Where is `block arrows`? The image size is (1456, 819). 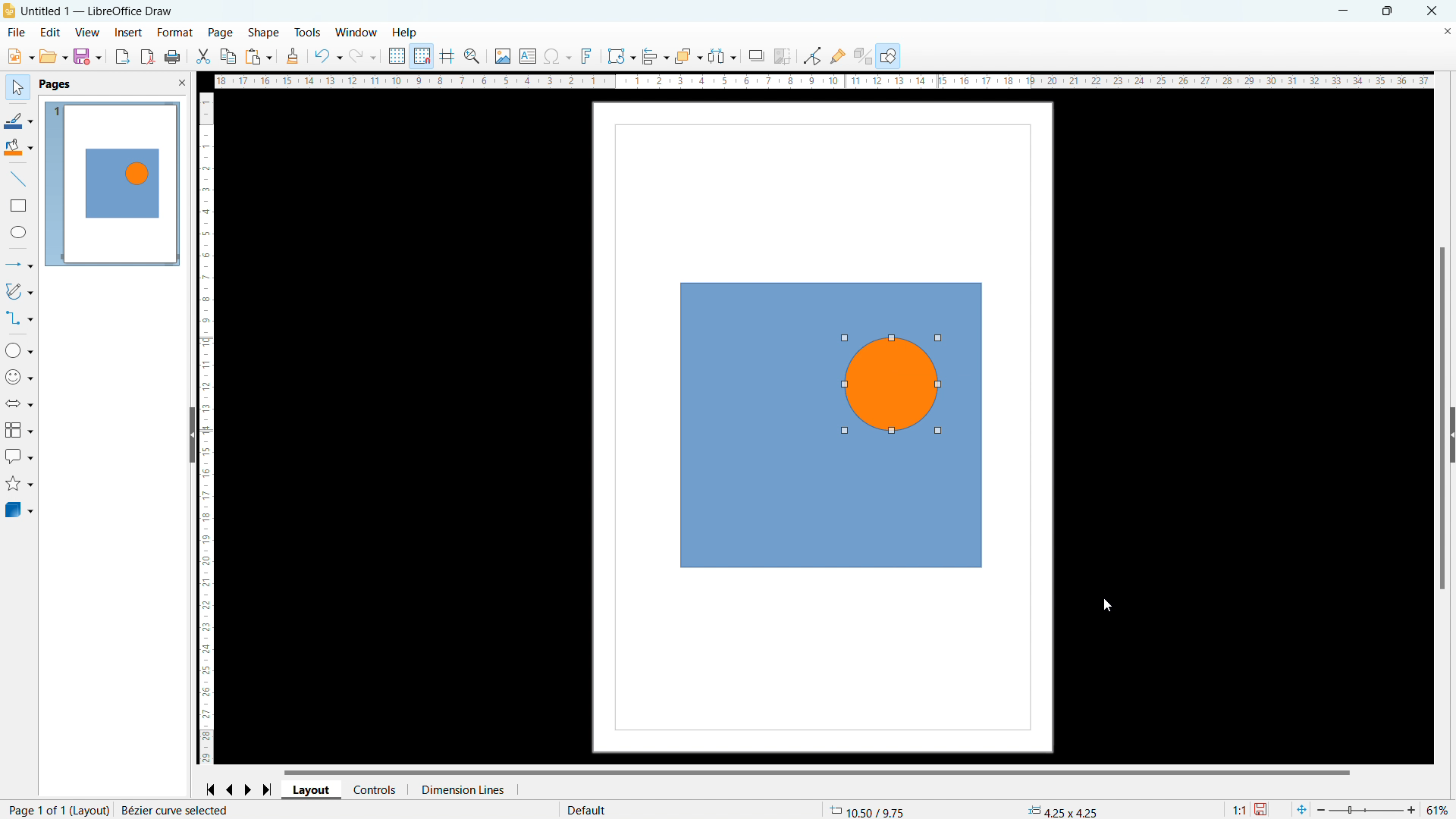
block arrows is located at coordinates (20, 404).